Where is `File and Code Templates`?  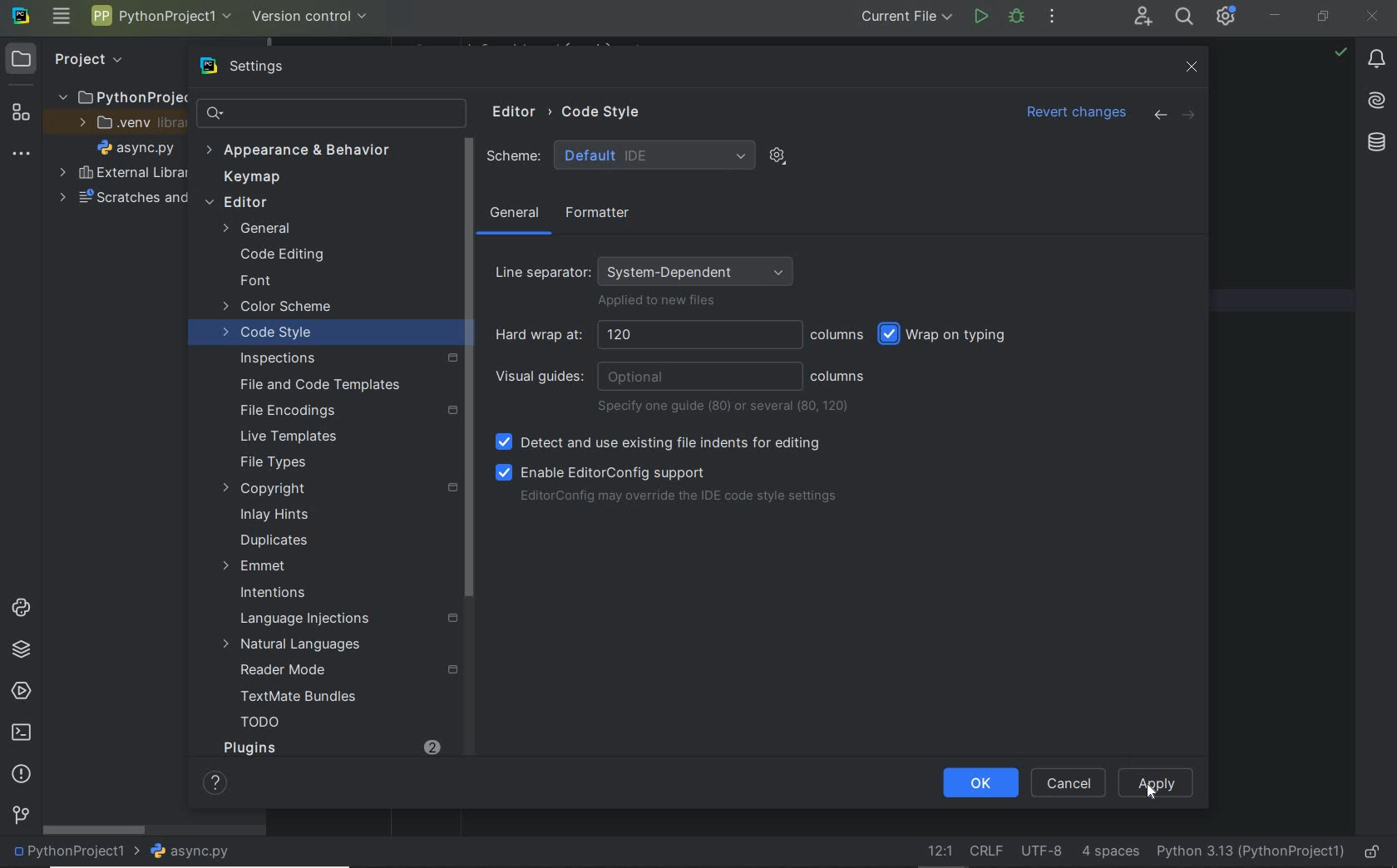 File and Code Templates is located at coordinates (313, 384).